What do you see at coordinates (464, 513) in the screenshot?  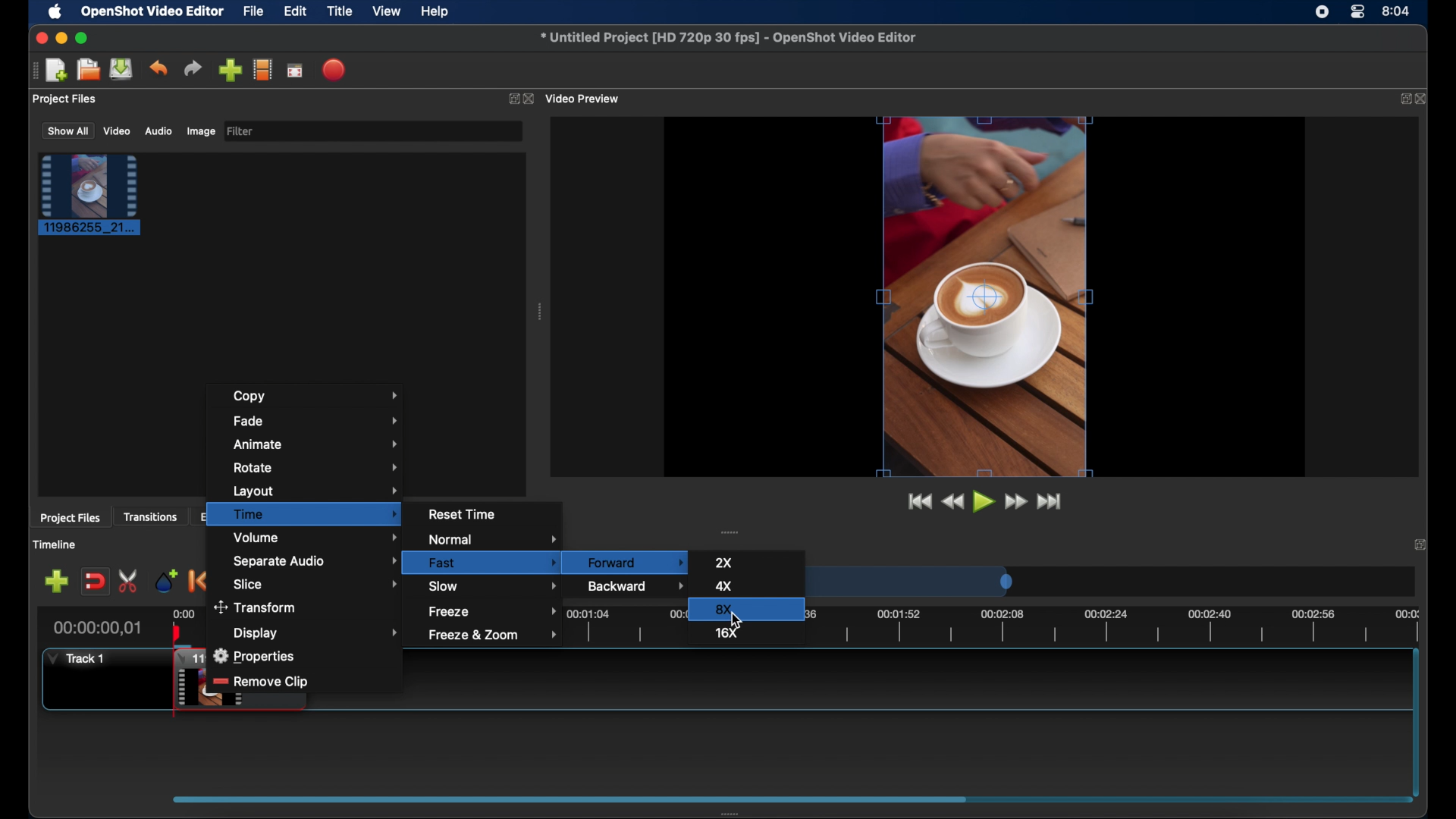 I see `reset time` at bounding box center [464, 513].